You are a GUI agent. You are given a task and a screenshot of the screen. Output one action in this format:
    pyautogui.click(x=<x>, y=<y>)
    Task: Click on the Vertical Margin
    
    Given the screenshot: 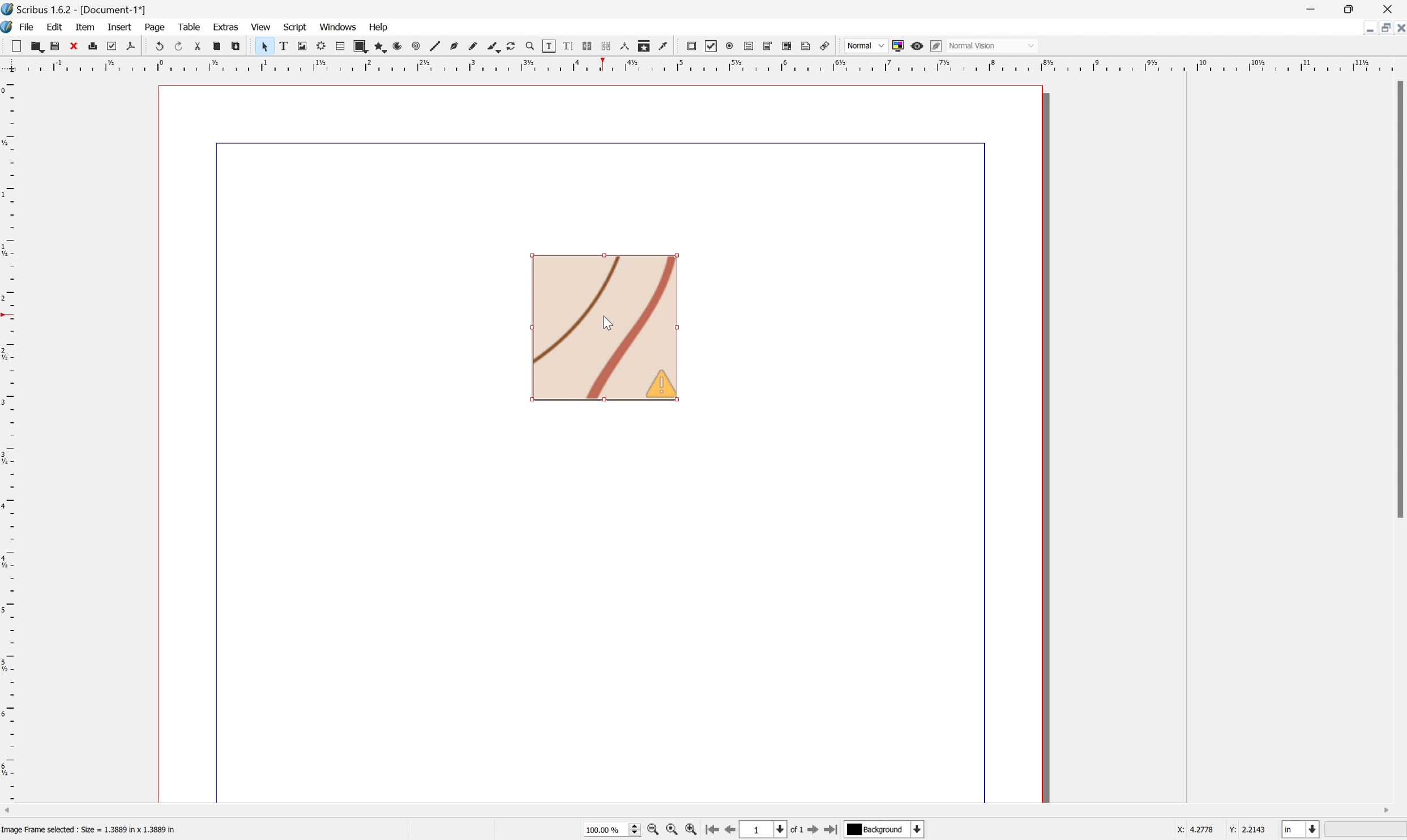 What is the action you would take?
    pyautogui.click(x=9, y=442)
    